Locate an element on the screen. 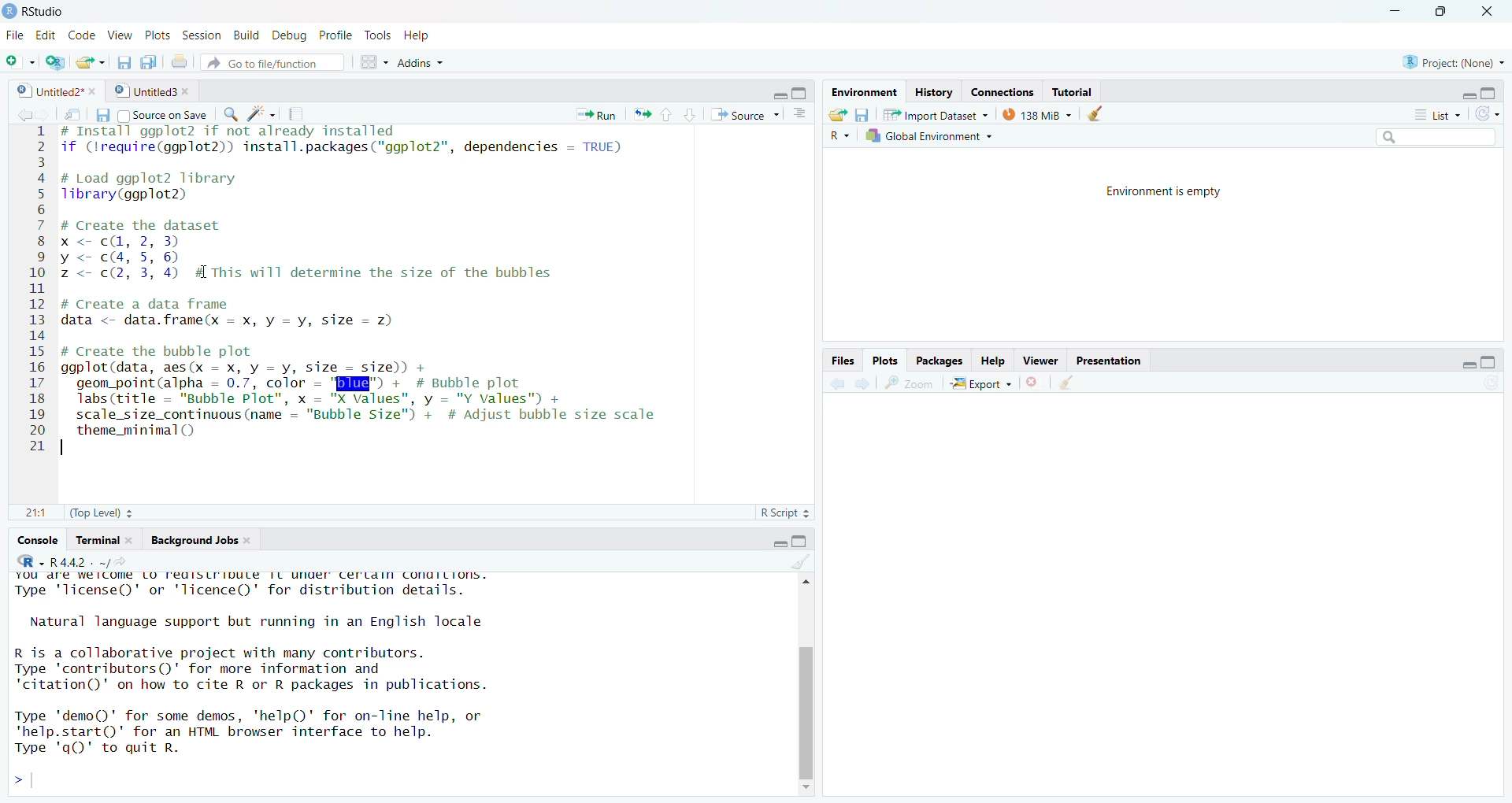 This screenshot has height=803, width=1512. save all documents is located at coordinates (124, 59).